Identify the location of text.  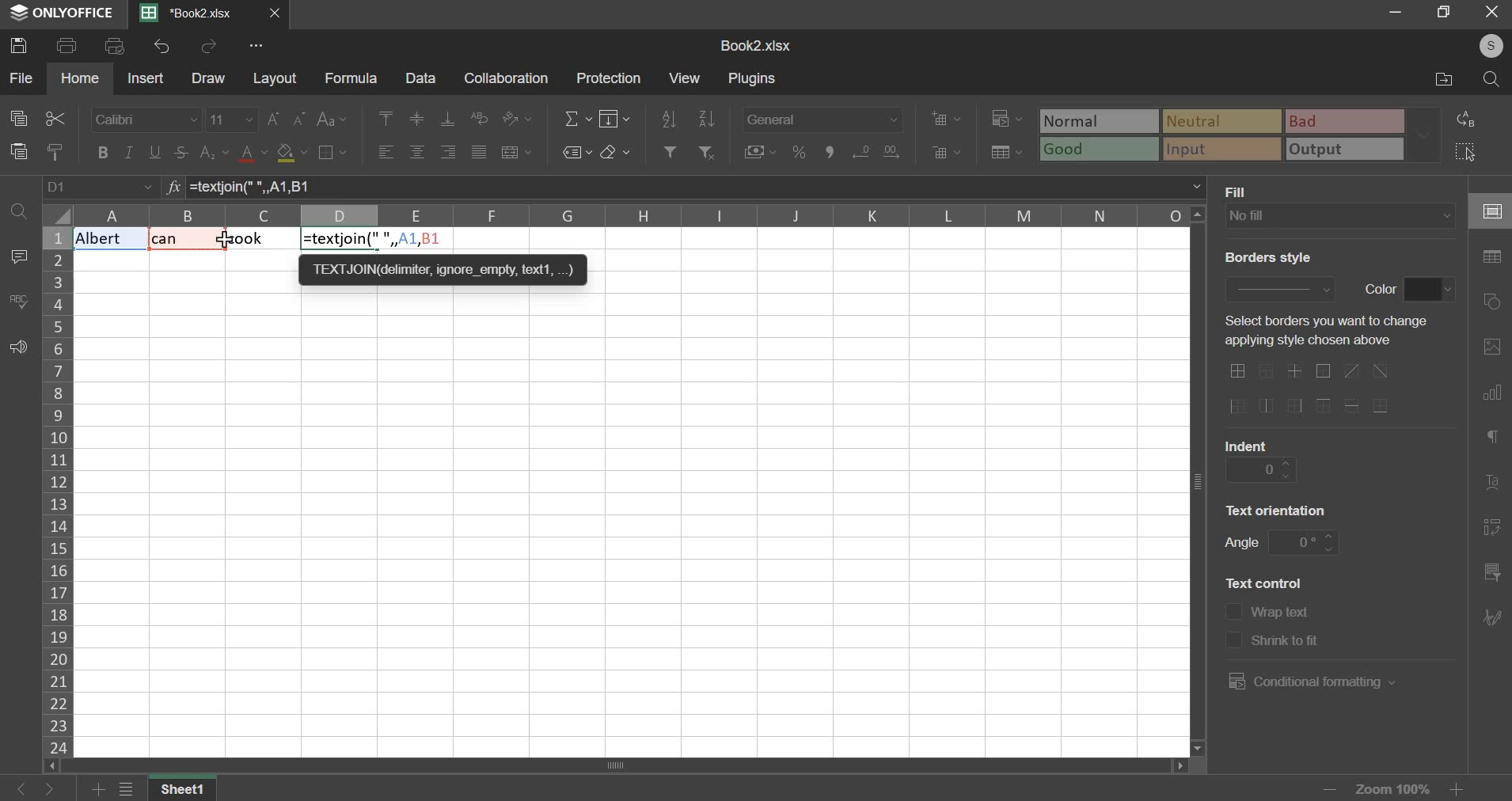
(1247, 443).